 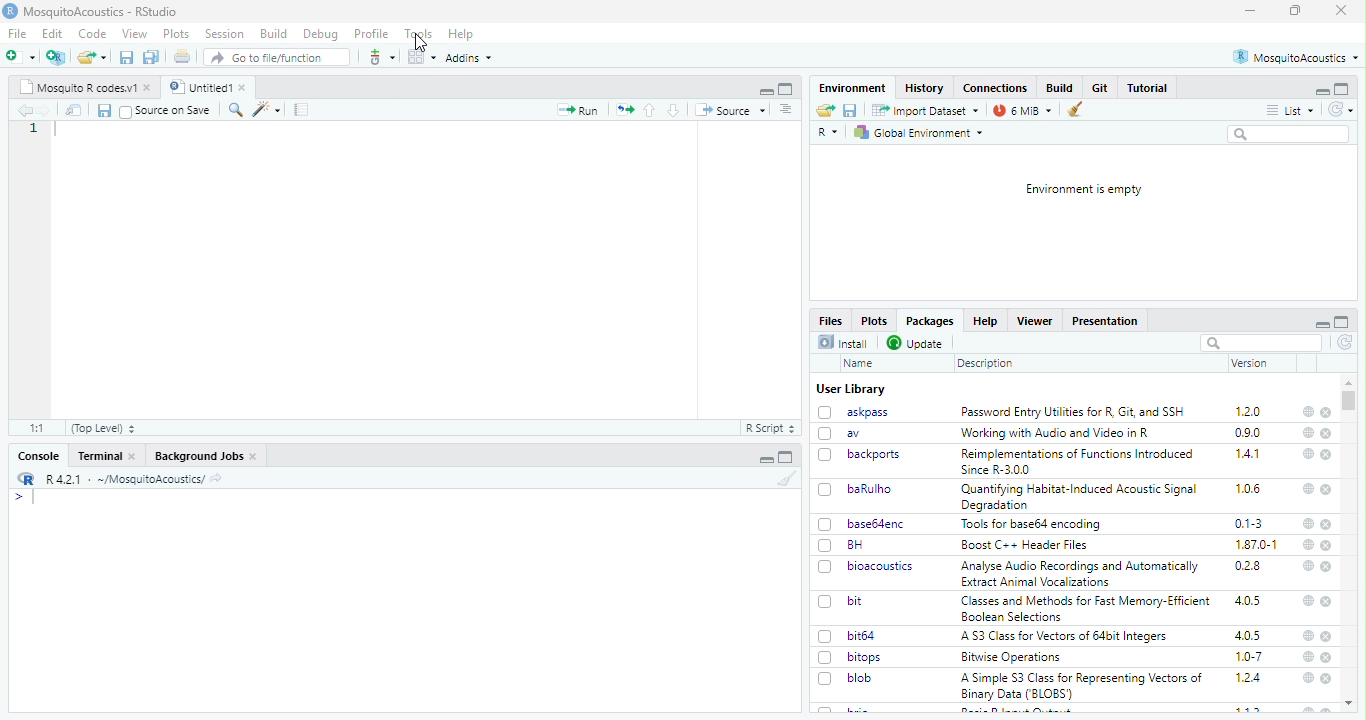 I want to click on Dataset’s , so click(x=303, y=110).